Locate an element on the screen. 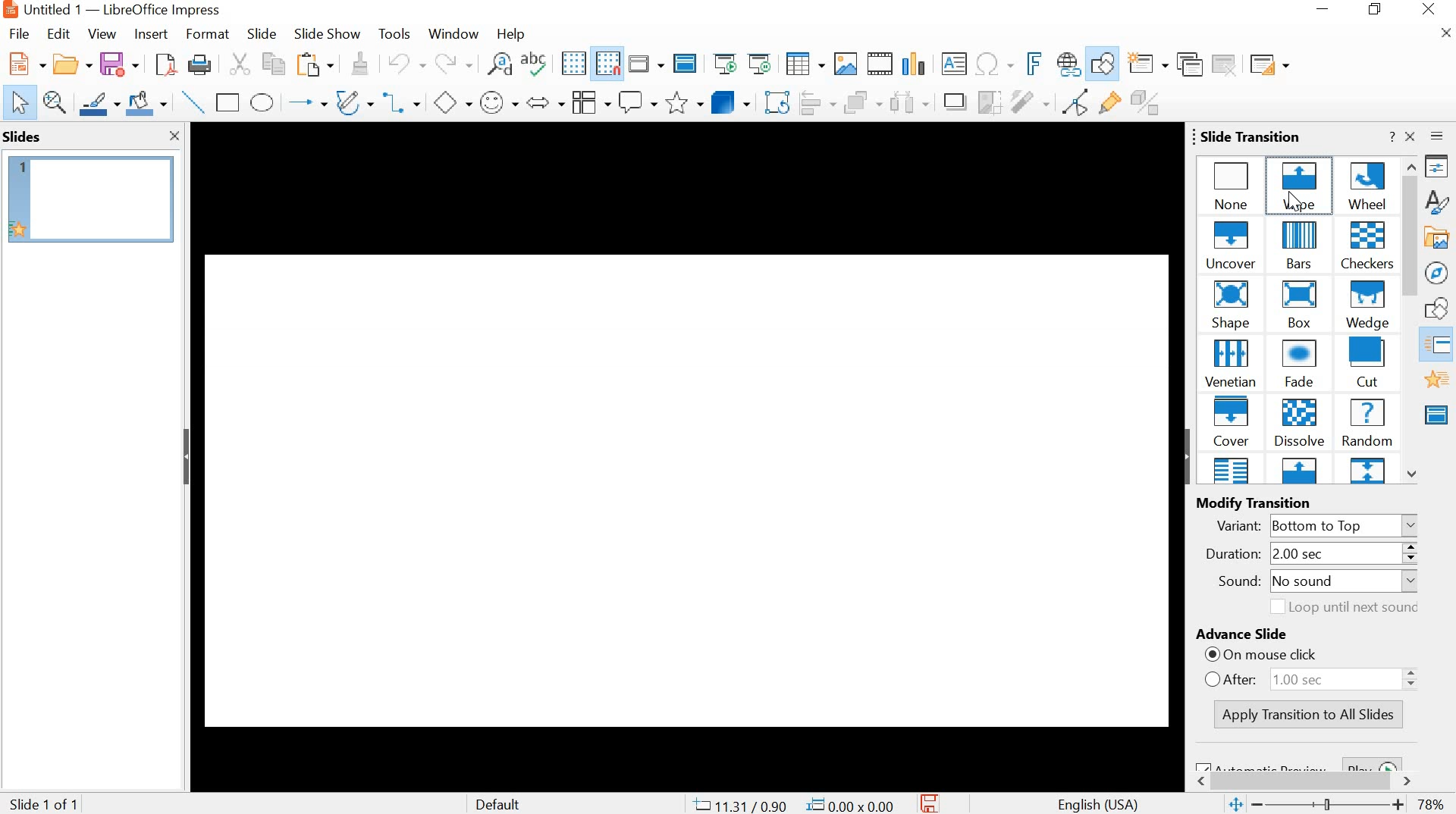 The image size is (1456, 814). Ellipse is located at coordinates (263, 102).